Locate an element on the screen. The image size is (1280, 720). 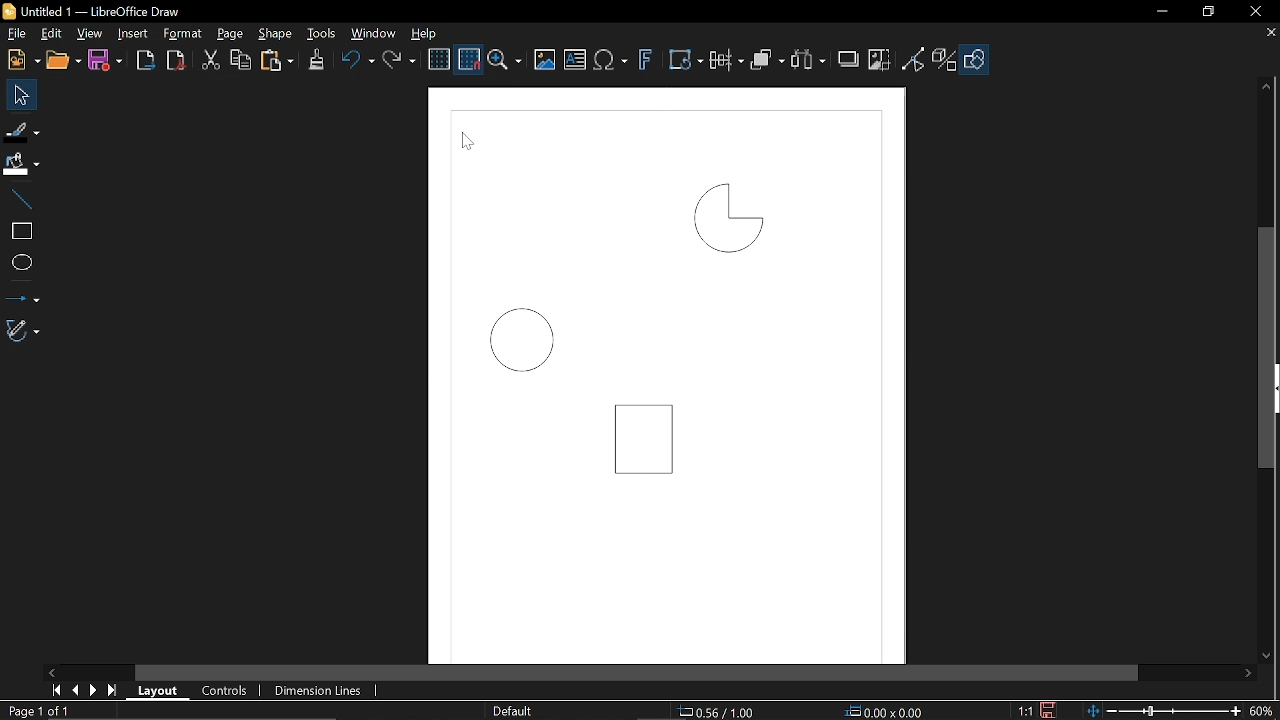
Zoom is located at coordinates (506, 60).